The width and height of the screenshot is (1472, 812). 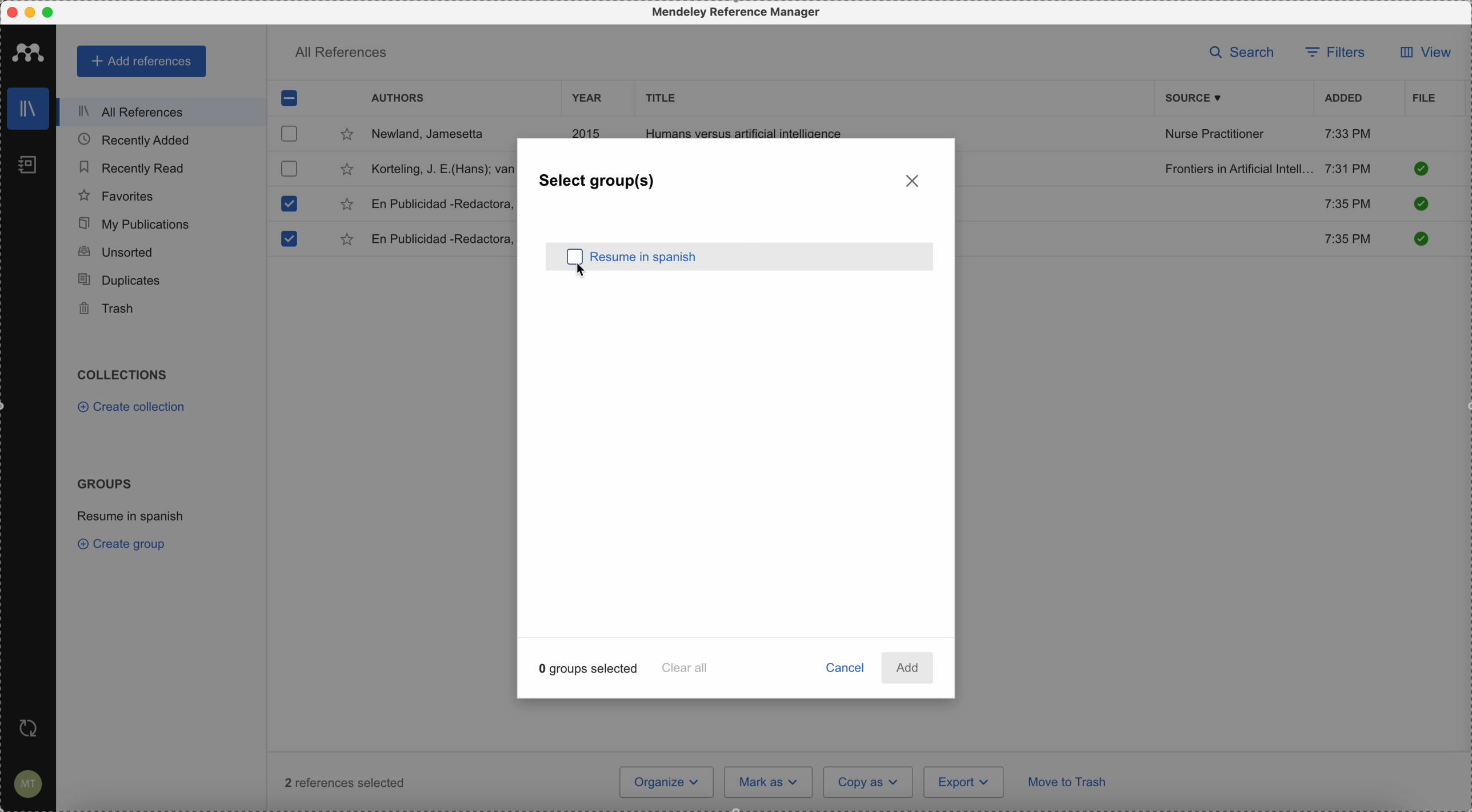 I want to click on authors, so click(x=398, y=99).